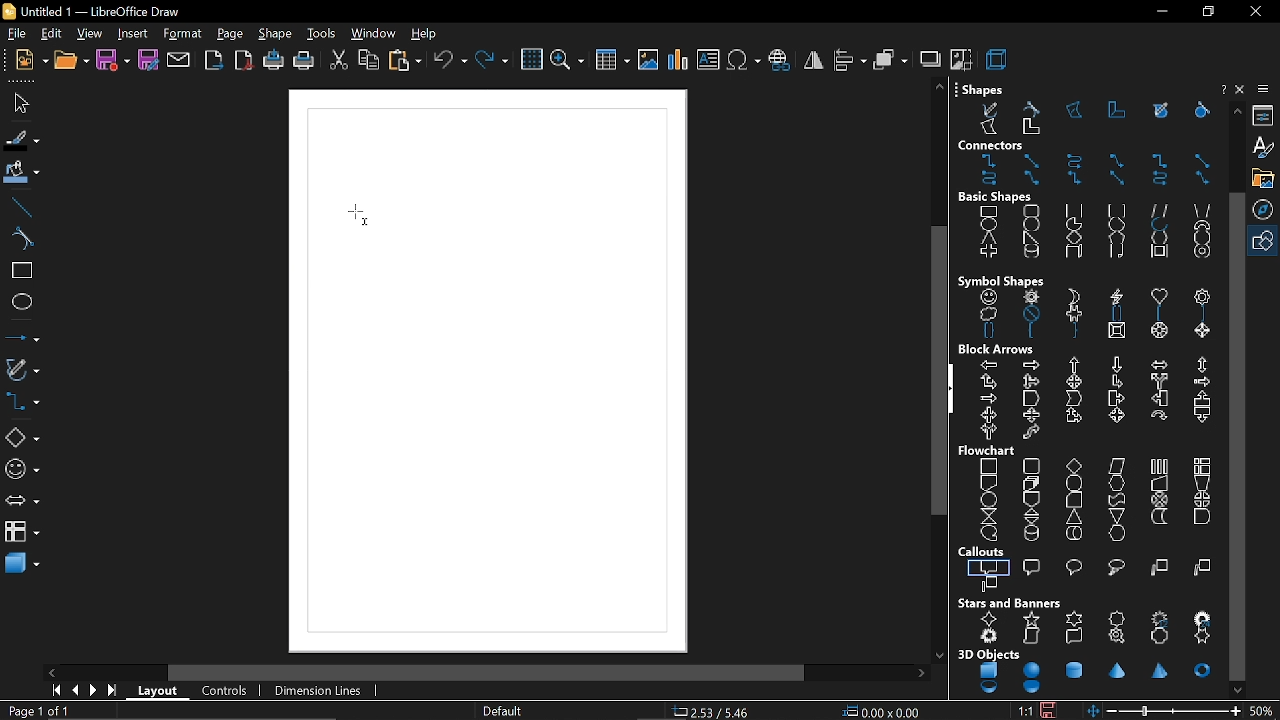  Describe the element at coordinates (429, 35) in the screenshot. I see `help` at that location.